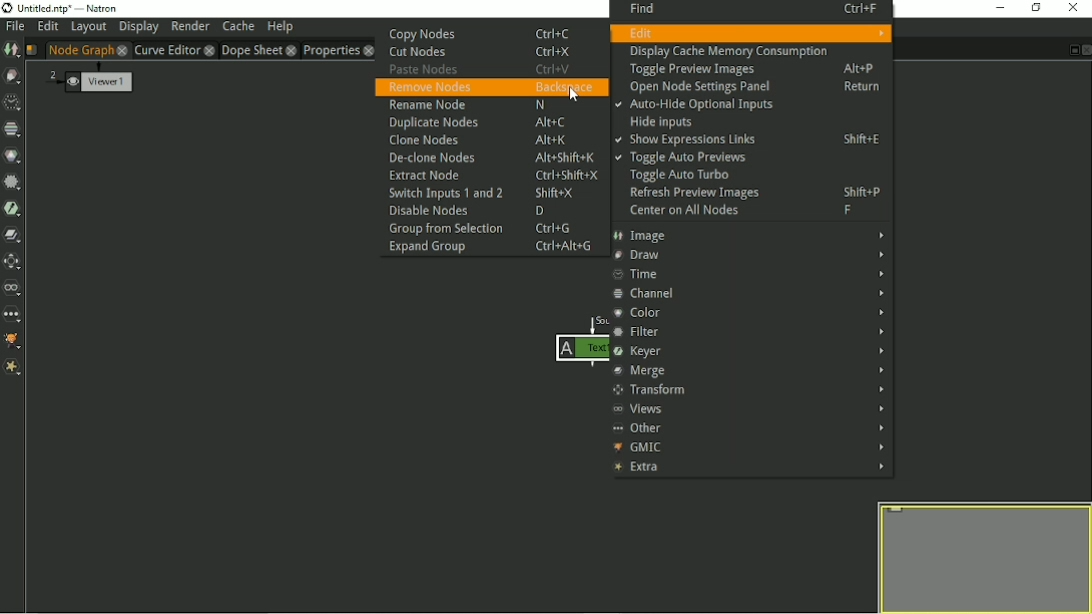  Describe the element at coordinates (749, 427) in the screenshot. I see `Other` at that location.